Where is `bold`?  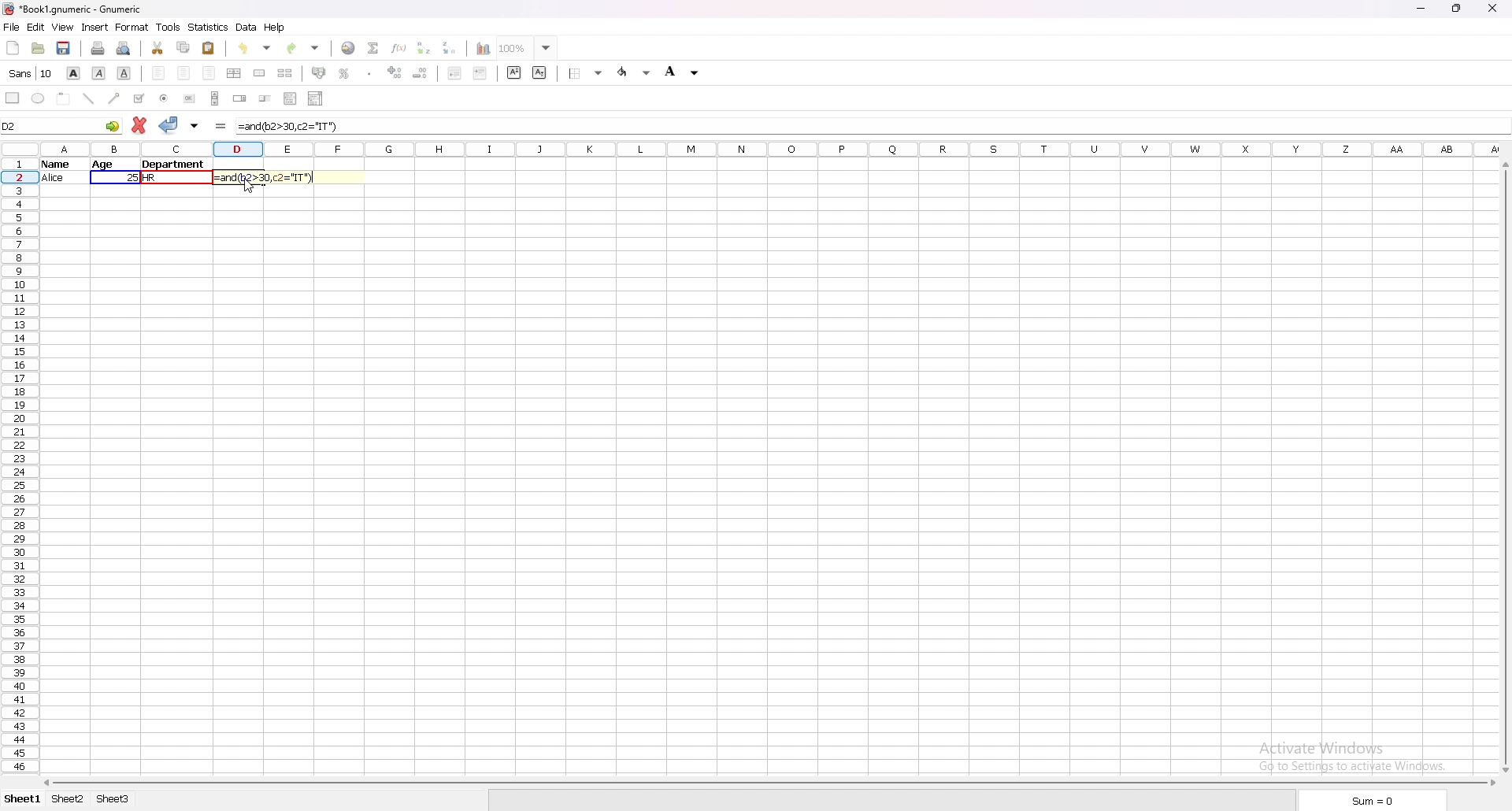
bold is located at coordinates (75, 72).